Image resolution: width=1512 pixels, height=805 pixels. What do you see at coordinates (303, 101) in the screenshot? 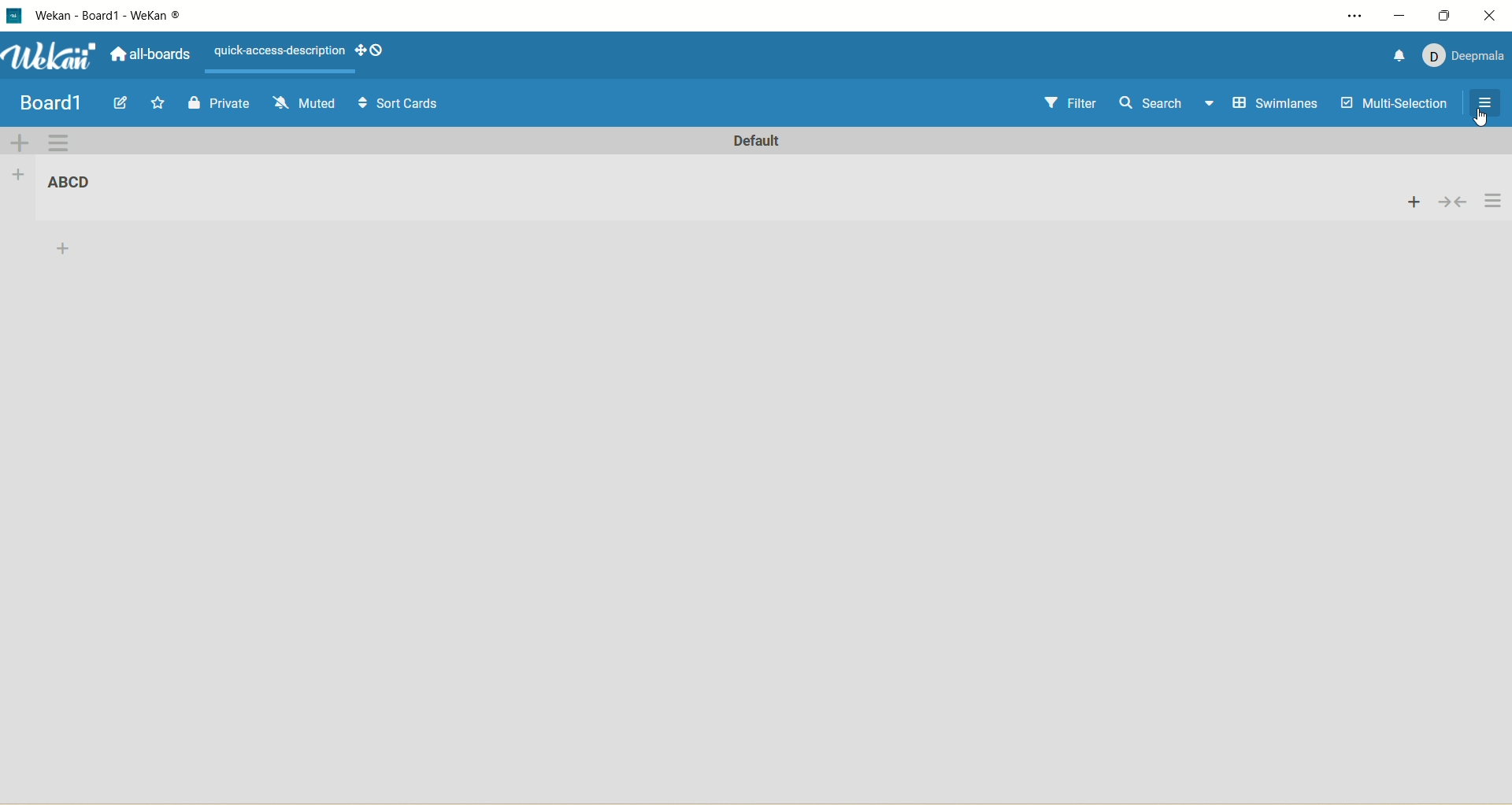
I see `Muted` at bounding box center [303, 101].